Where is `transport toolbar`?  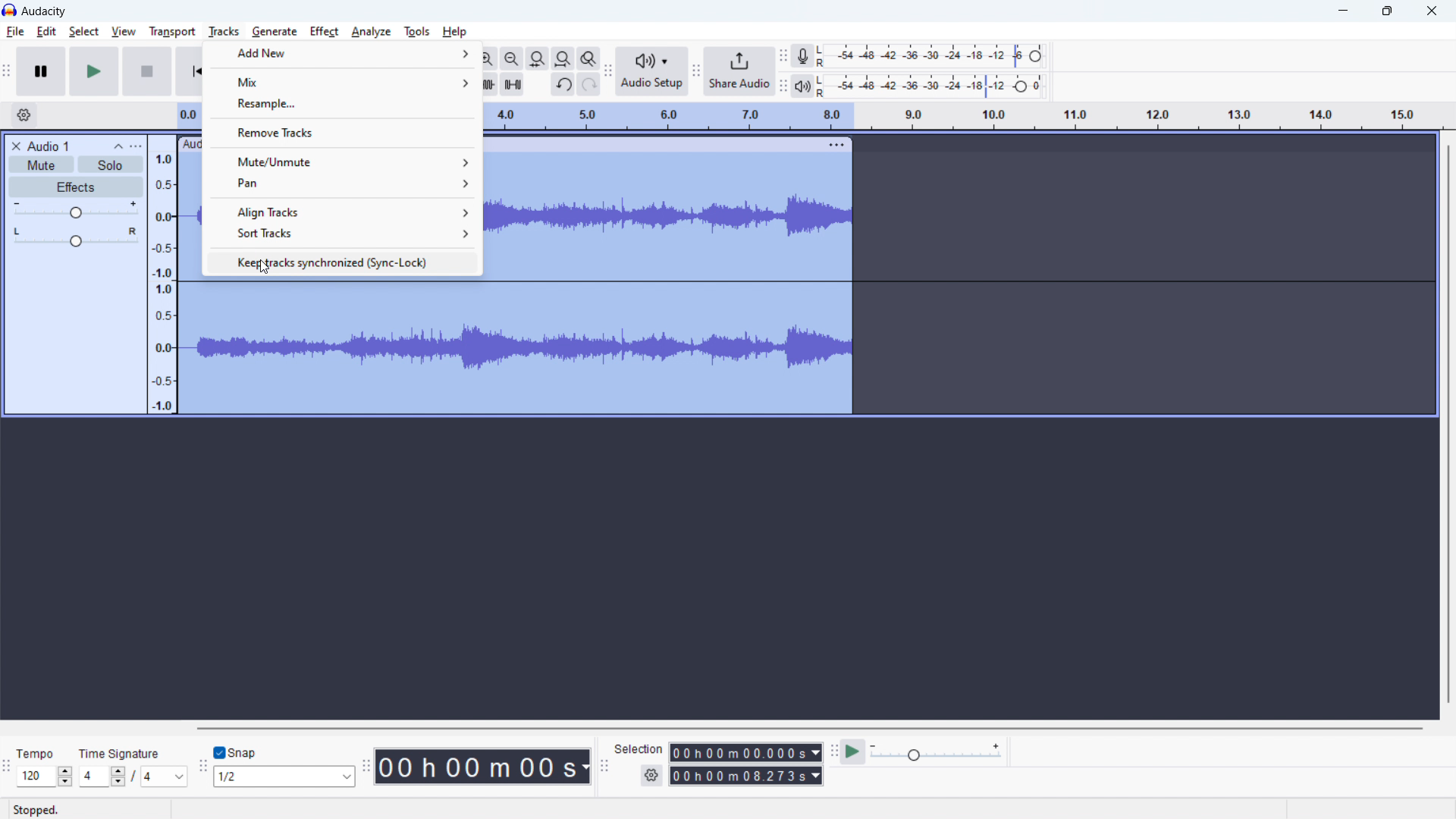
transport toolbar is located at coordinates (7, 72).